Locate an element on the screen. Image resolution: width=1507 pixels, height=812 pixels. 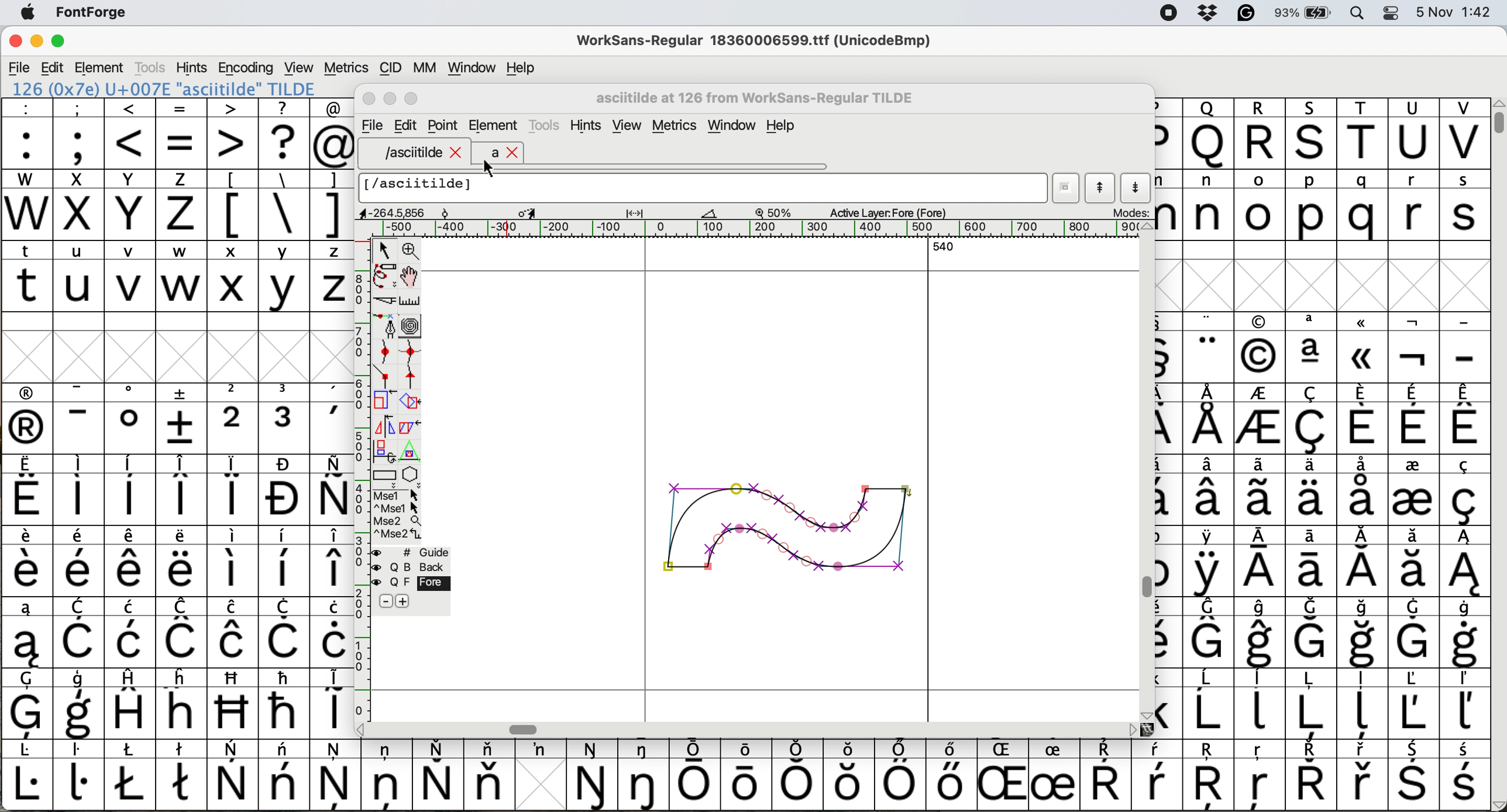
symbol is located at coordinates (1365, 705).